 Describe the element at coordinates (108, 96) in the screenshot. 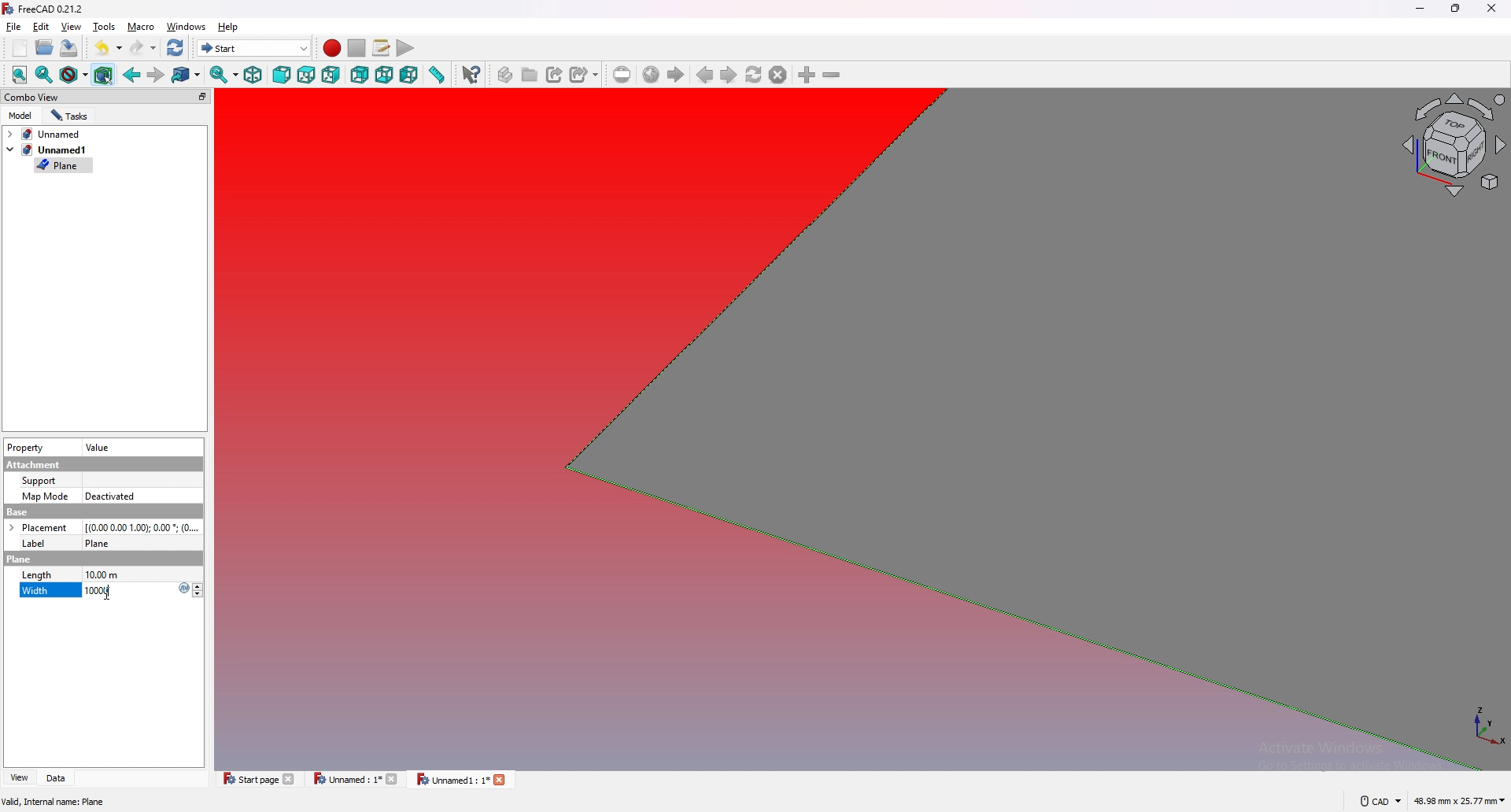

I see `combo view` at that location.